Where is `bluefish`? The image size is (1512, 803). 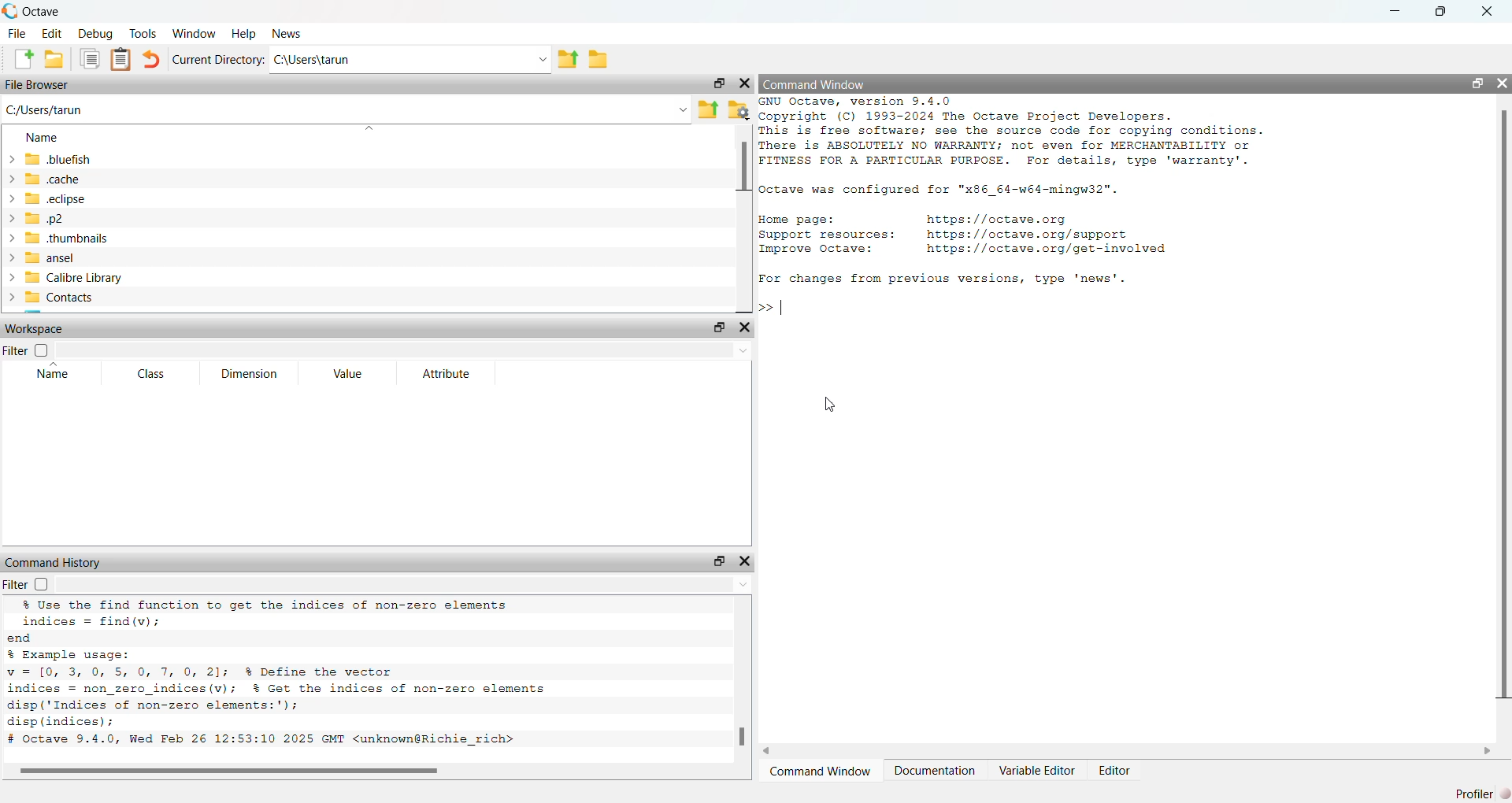
bluefish is located at coordinates (50, 159).